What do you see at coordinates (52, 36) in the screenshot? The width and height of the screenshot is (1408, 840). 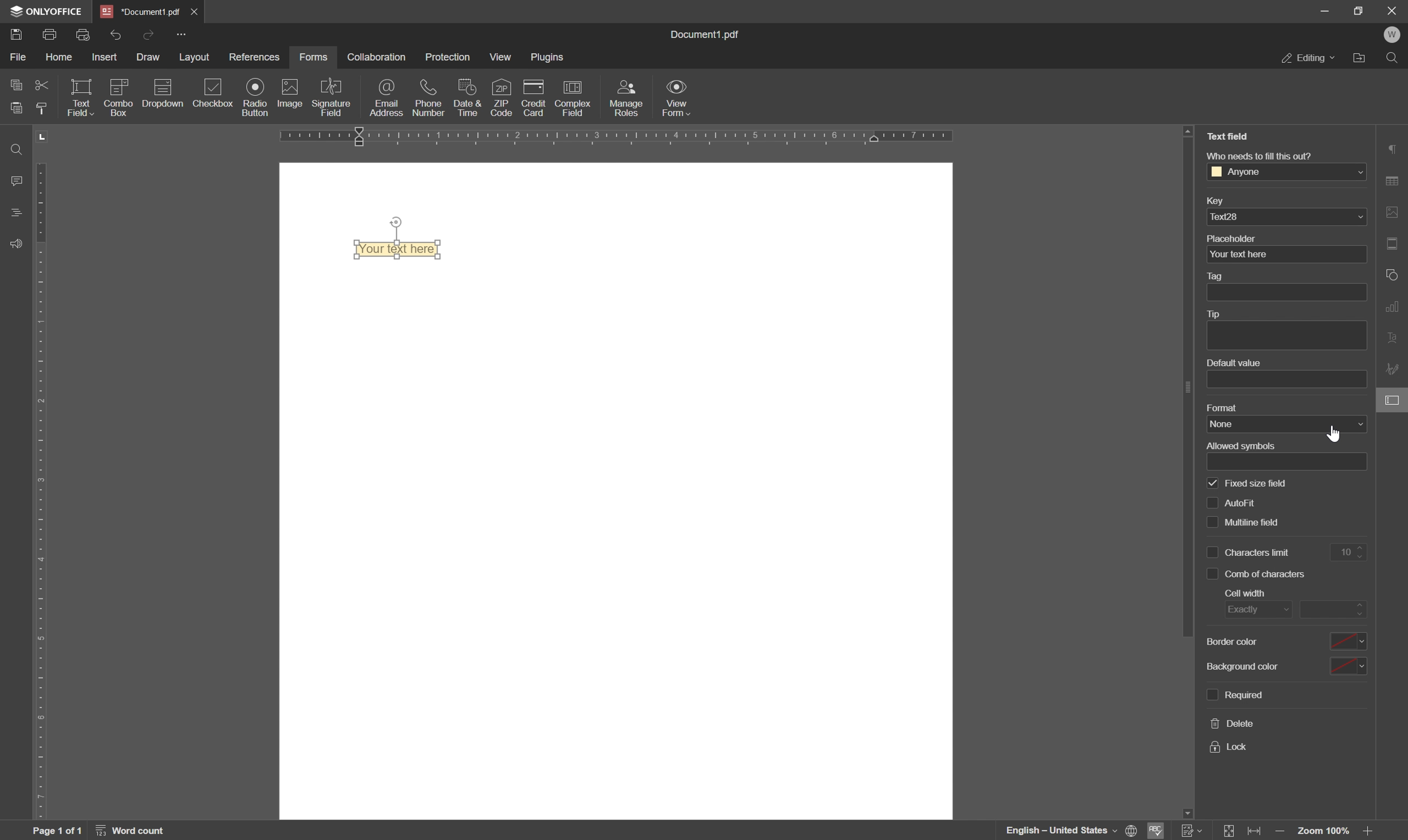 I see `print` at bounding box center [52, 36].